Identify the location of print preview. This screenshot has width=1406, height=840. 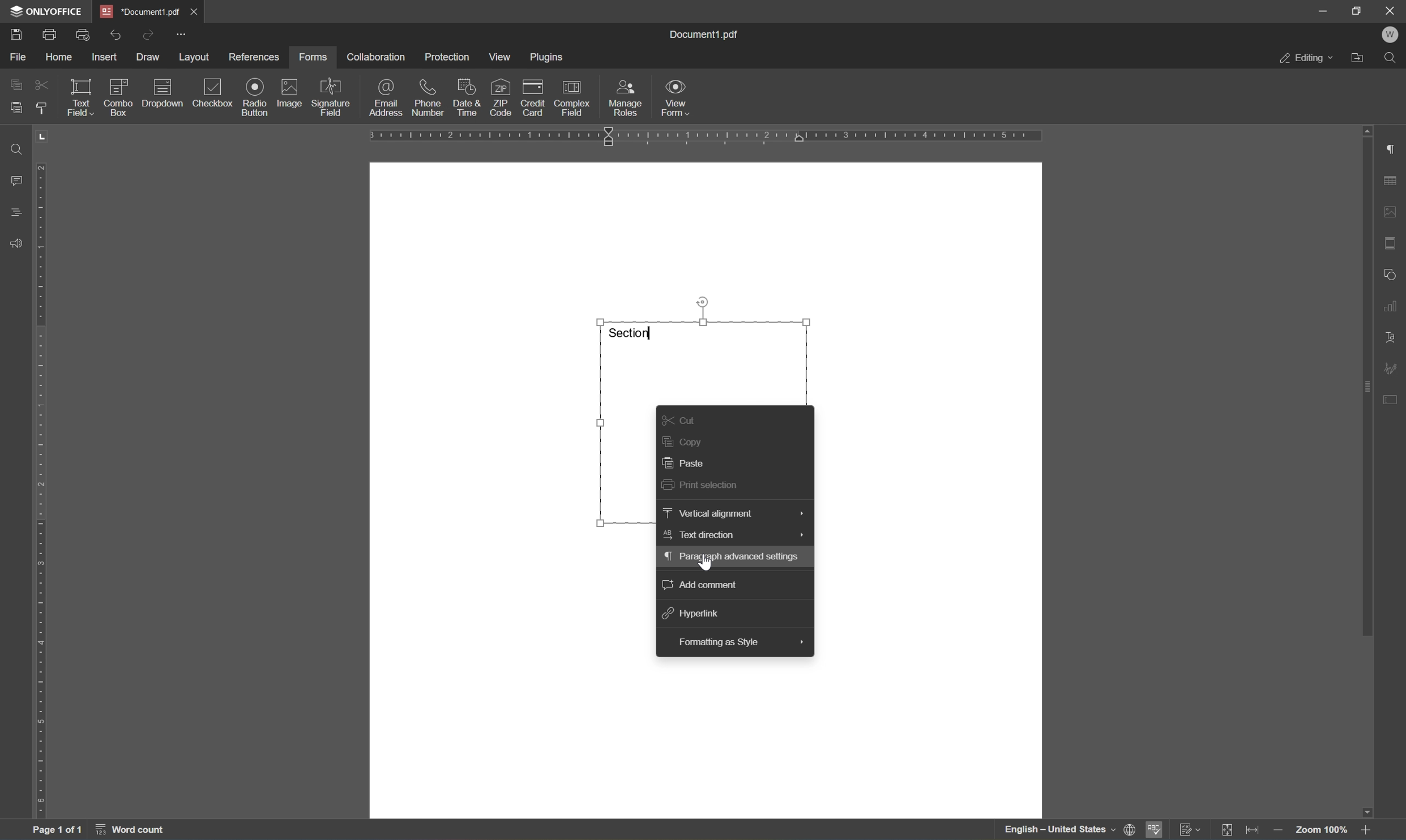
(84, 33).